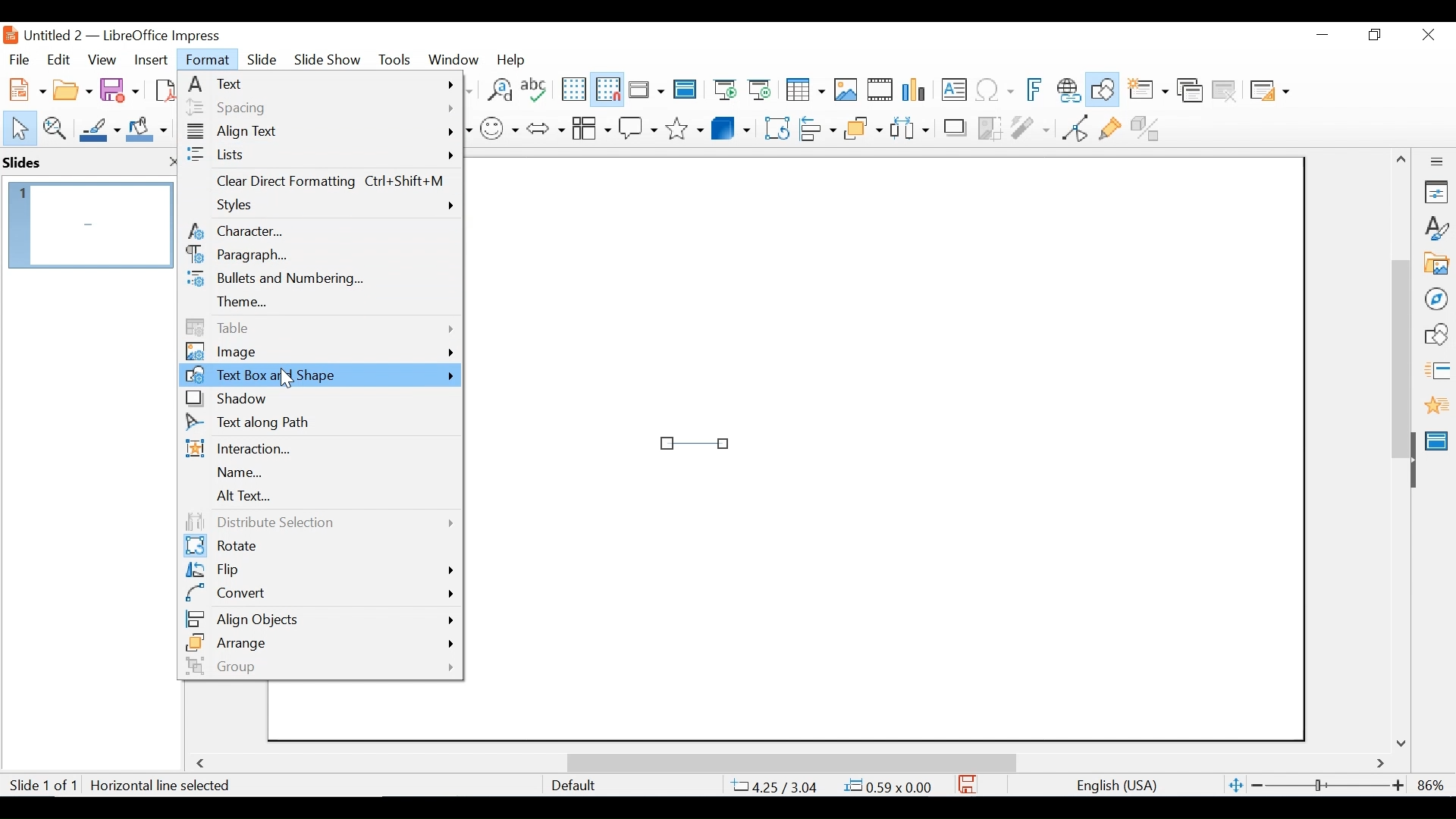 The image size is (1456, 819). I want to click on Align Objects, so click(319, 617).